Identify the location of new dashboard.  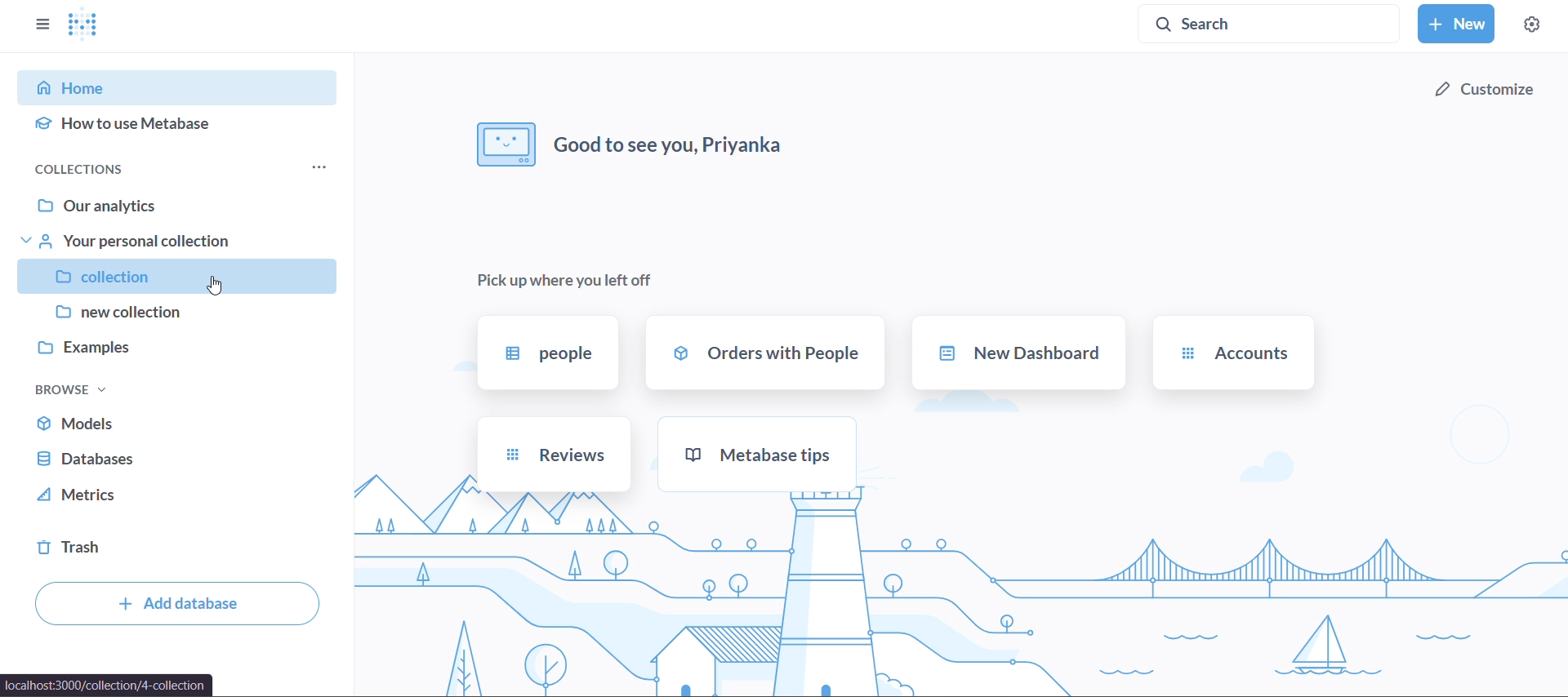
(1020, 353).